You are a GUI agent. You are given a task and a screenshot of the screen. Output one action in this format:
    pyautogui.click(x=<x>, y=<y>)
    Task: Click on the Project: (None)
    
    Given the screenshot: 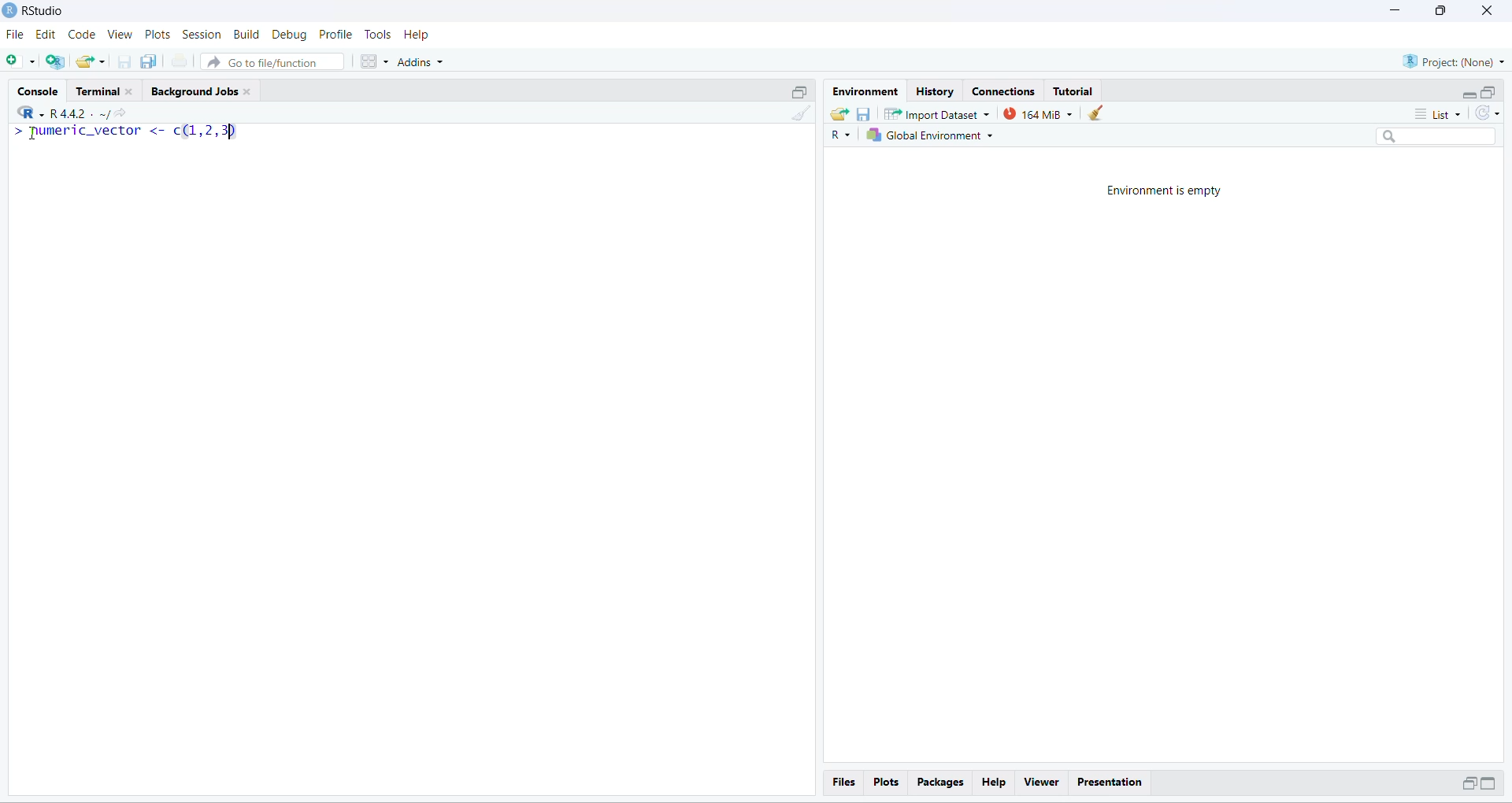 What is the action you would take?
    pyautogui.click(x=1455, y=61)
    